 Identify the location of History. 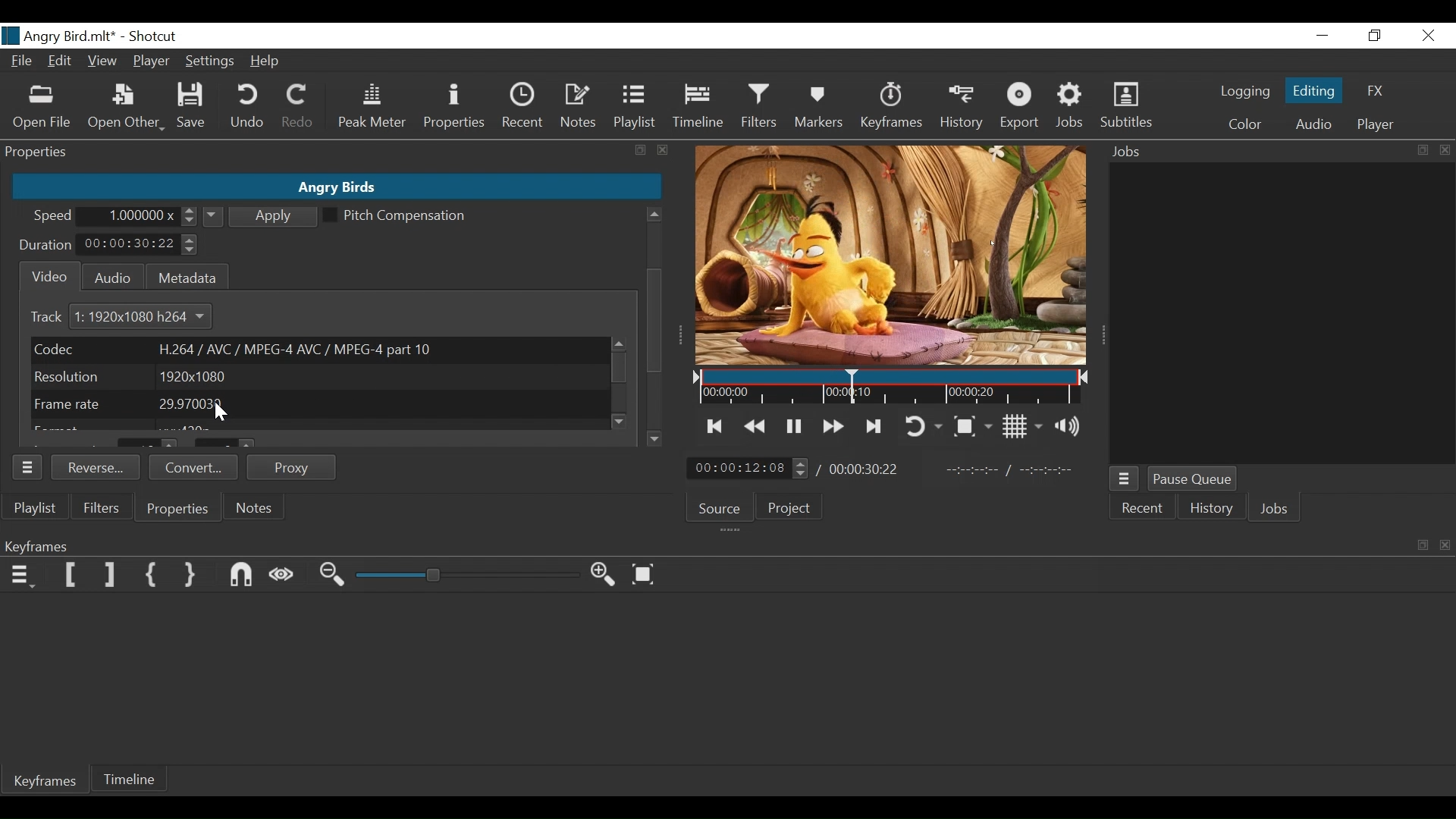
(961, 108).